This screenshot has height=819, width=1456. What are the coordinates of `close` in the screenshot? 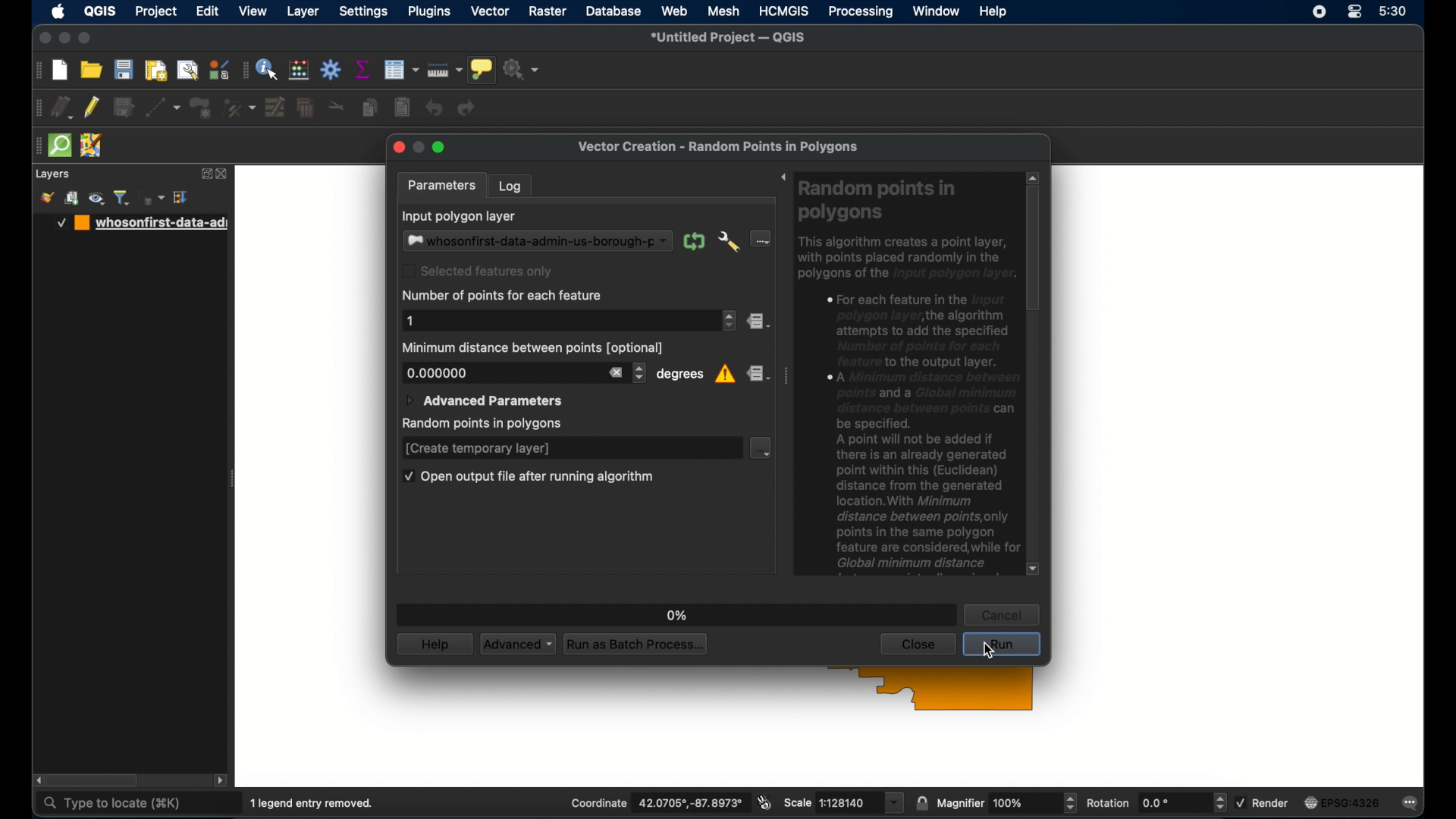 It's located at (43, 39).